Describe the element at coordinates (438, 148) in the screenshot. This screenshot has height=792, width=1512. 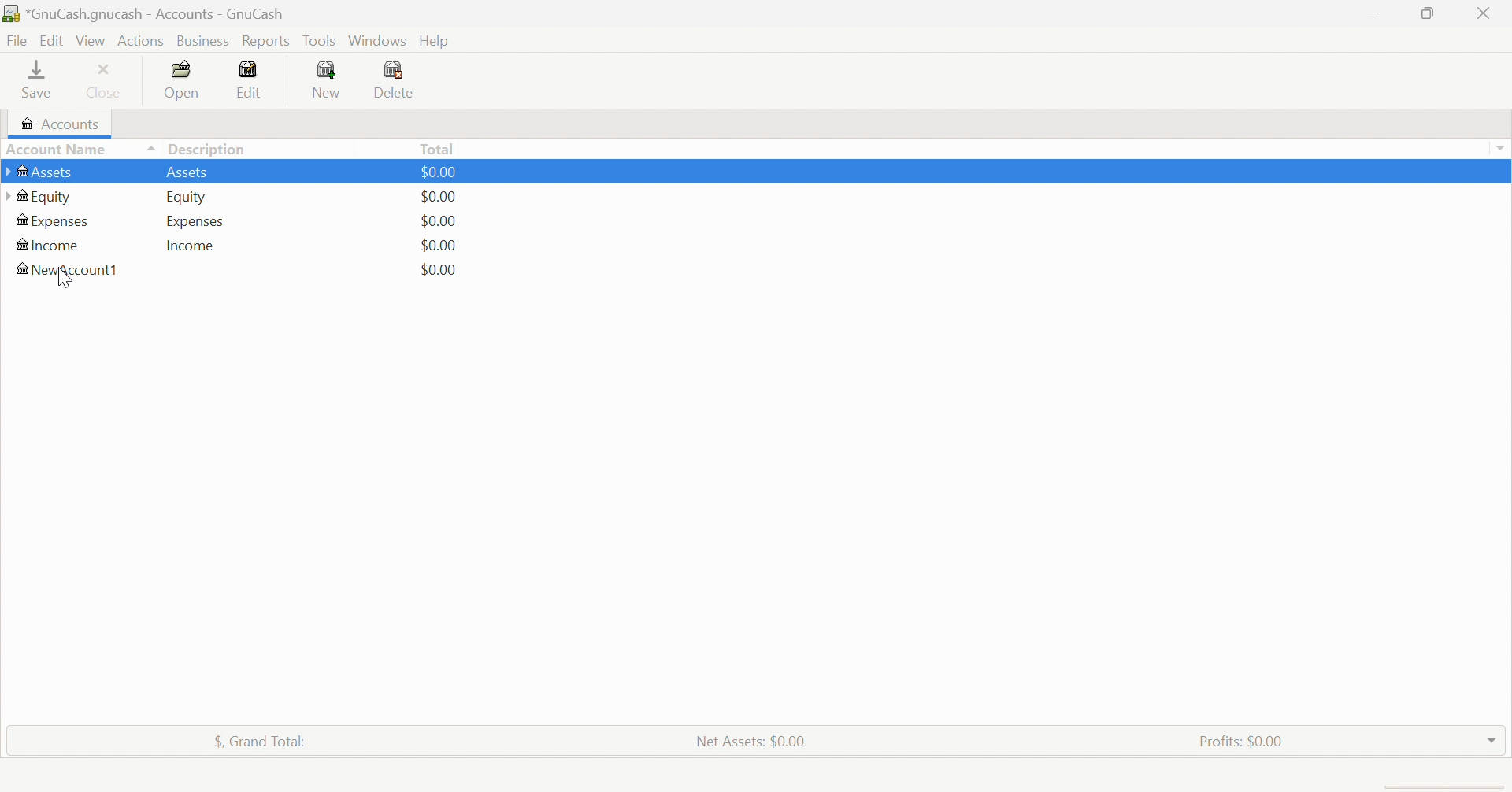
I see `Total` at that location.